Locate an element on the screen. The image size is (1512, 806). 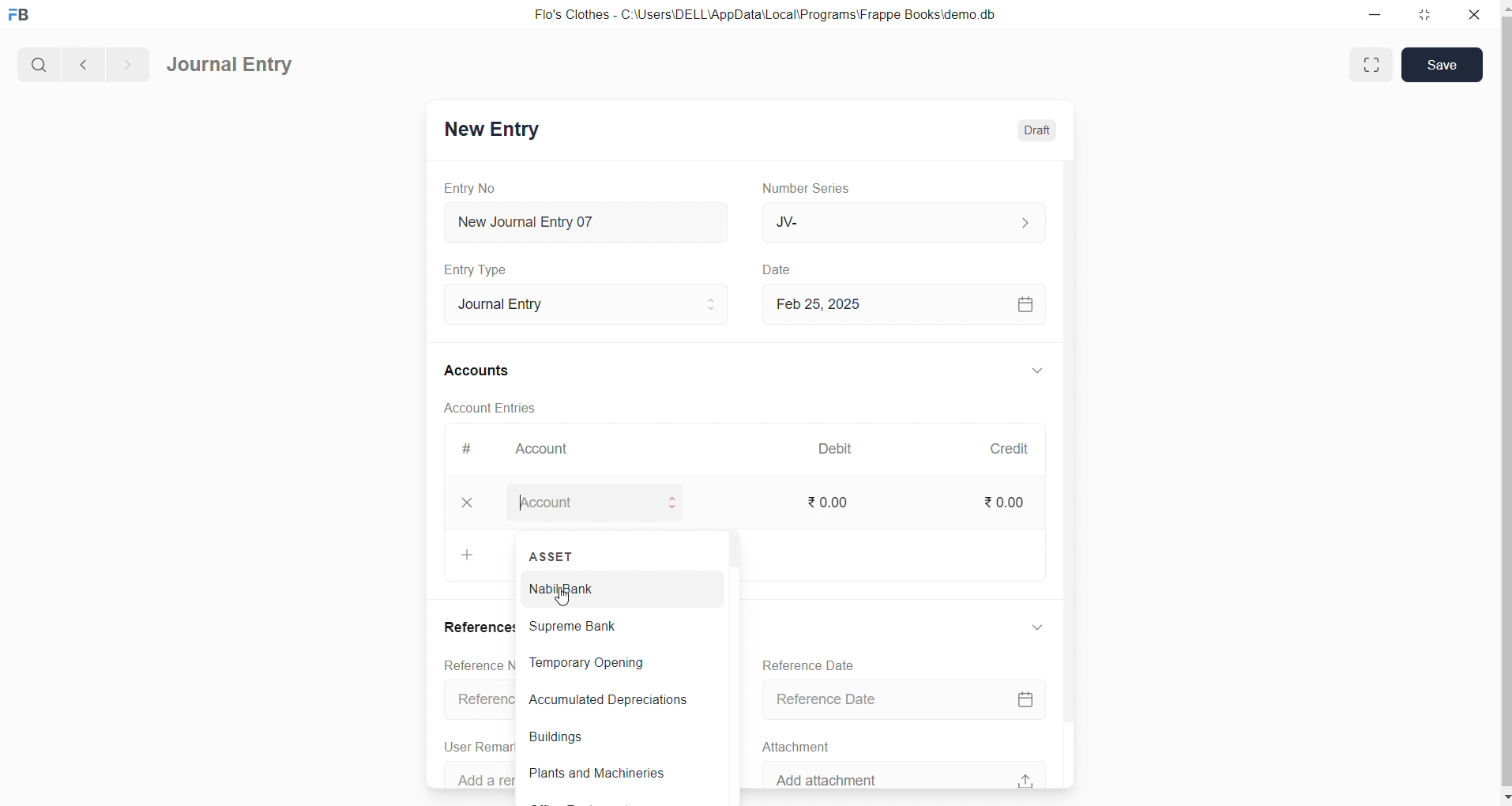
Add Row is located at coordinates (468, 559).